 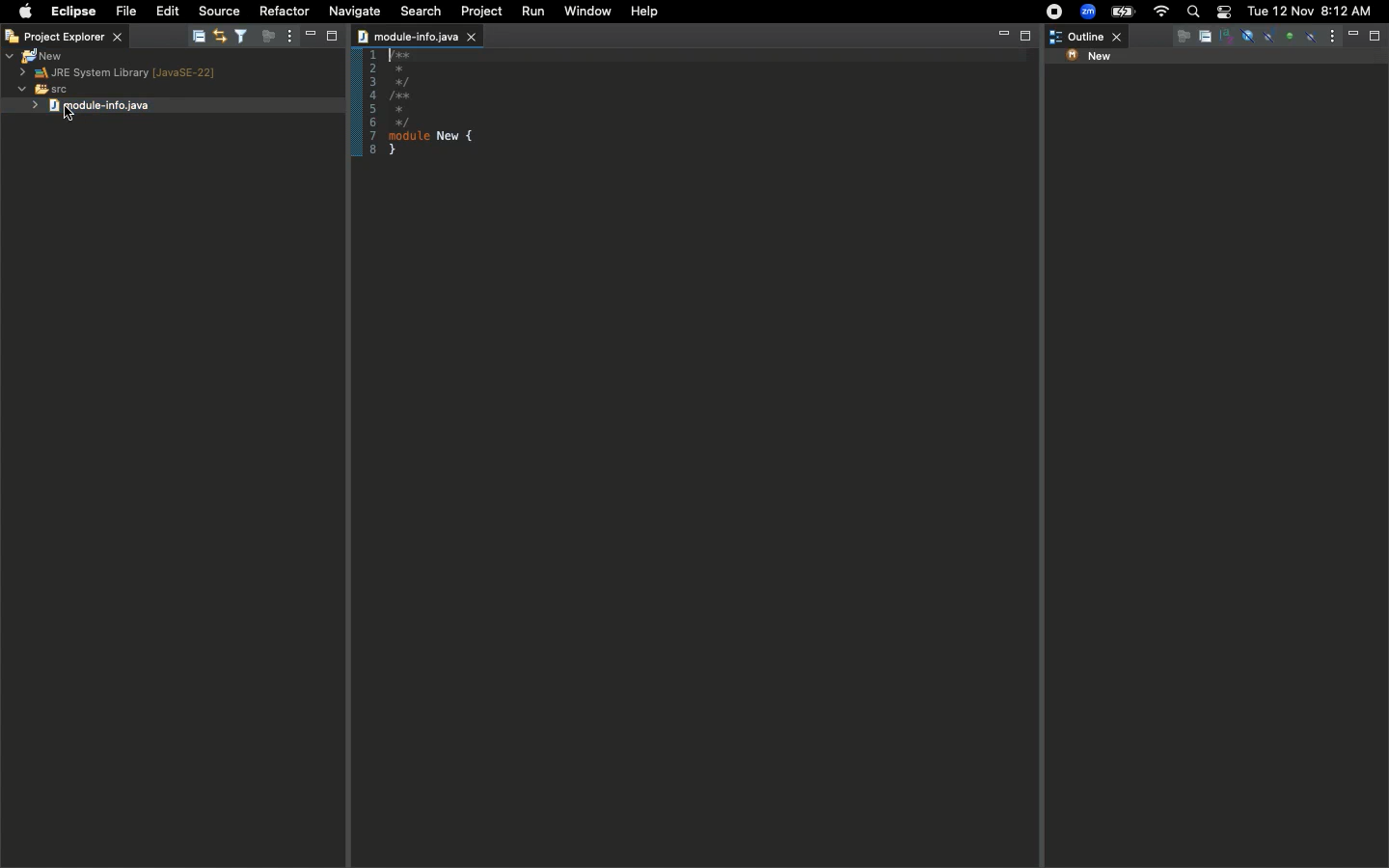 I want to click on Options, so click(x=1335, y=37).